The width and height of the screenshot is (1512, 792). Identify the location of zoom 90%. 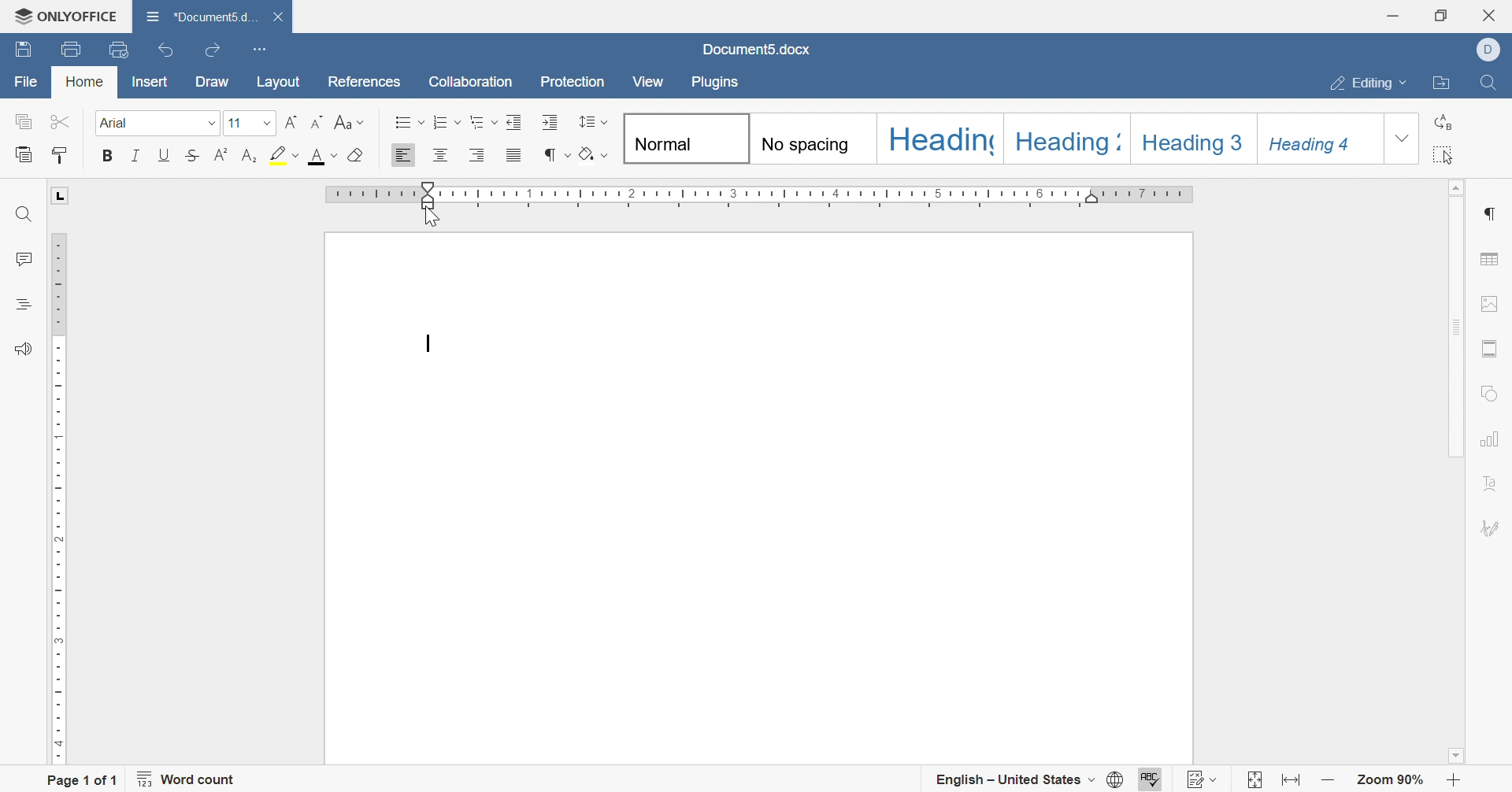
(1392, 781).